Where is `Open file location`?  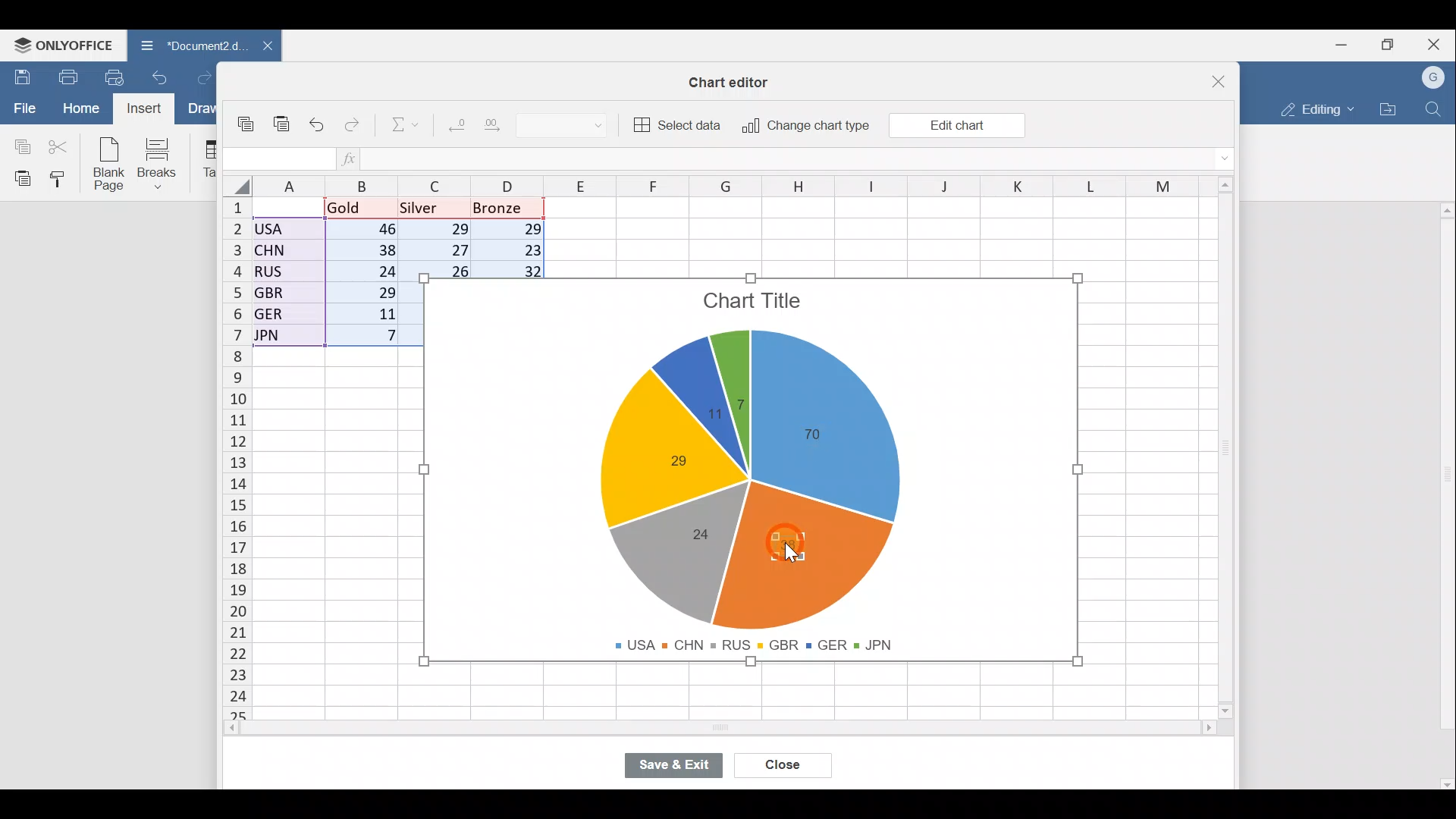
Open file location is located at coordinates (1388, 109).